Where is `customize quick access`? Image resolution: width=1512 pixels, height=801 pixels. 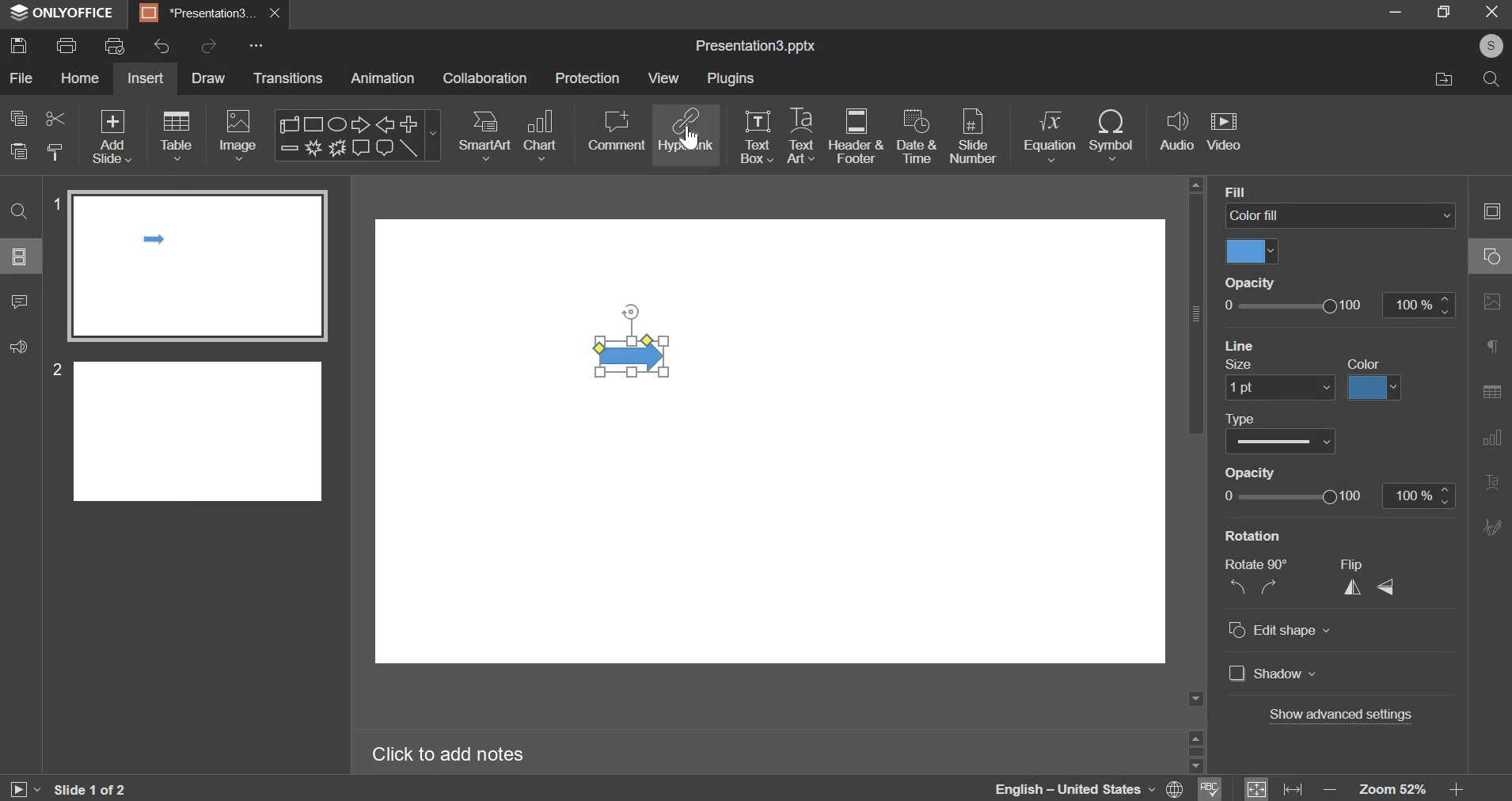 customize quick access is located at coordinates (256, 45).